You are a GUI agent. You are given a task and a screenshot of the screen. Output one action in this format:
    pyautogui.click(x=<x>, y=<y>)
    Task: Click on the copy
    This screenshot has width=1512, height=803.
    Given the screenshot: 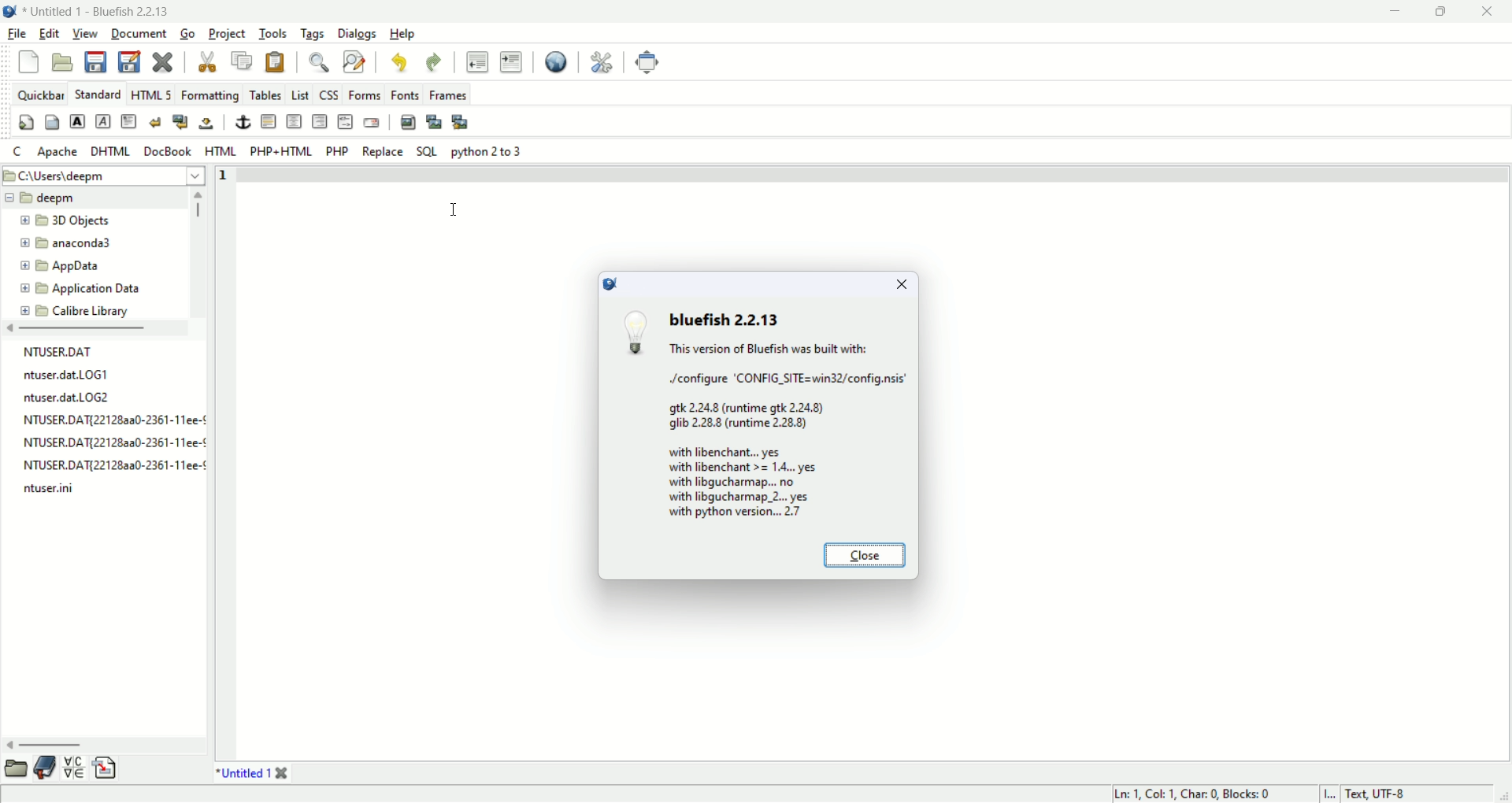 What is the action you would take?
    pyautogui.click(x=242, y=61)
    